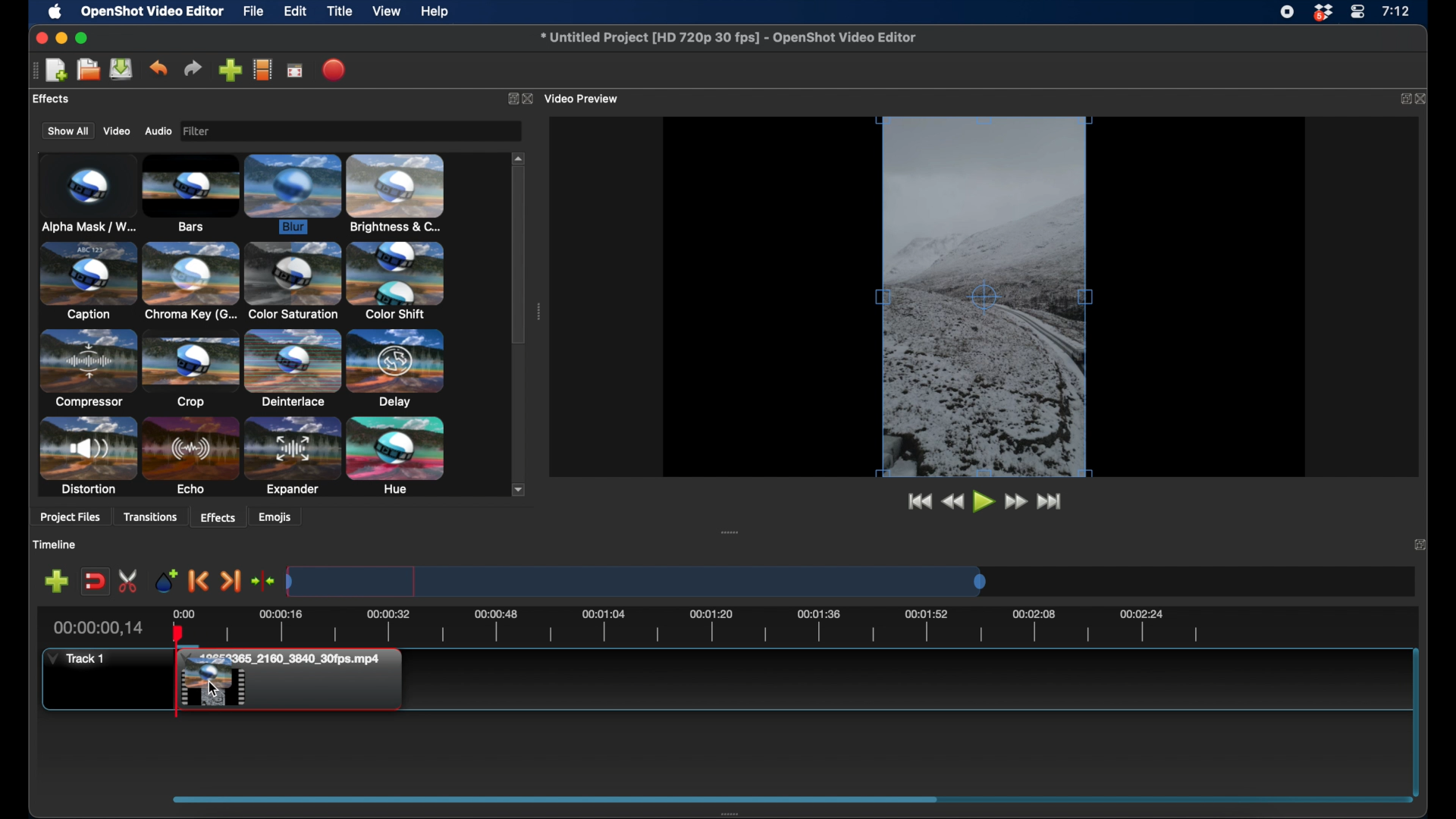 This screenshot has width=1456, height=819. Describe the element at coordinates (519, 489) in the screenshot. I see `scroll down arrow` at that location.